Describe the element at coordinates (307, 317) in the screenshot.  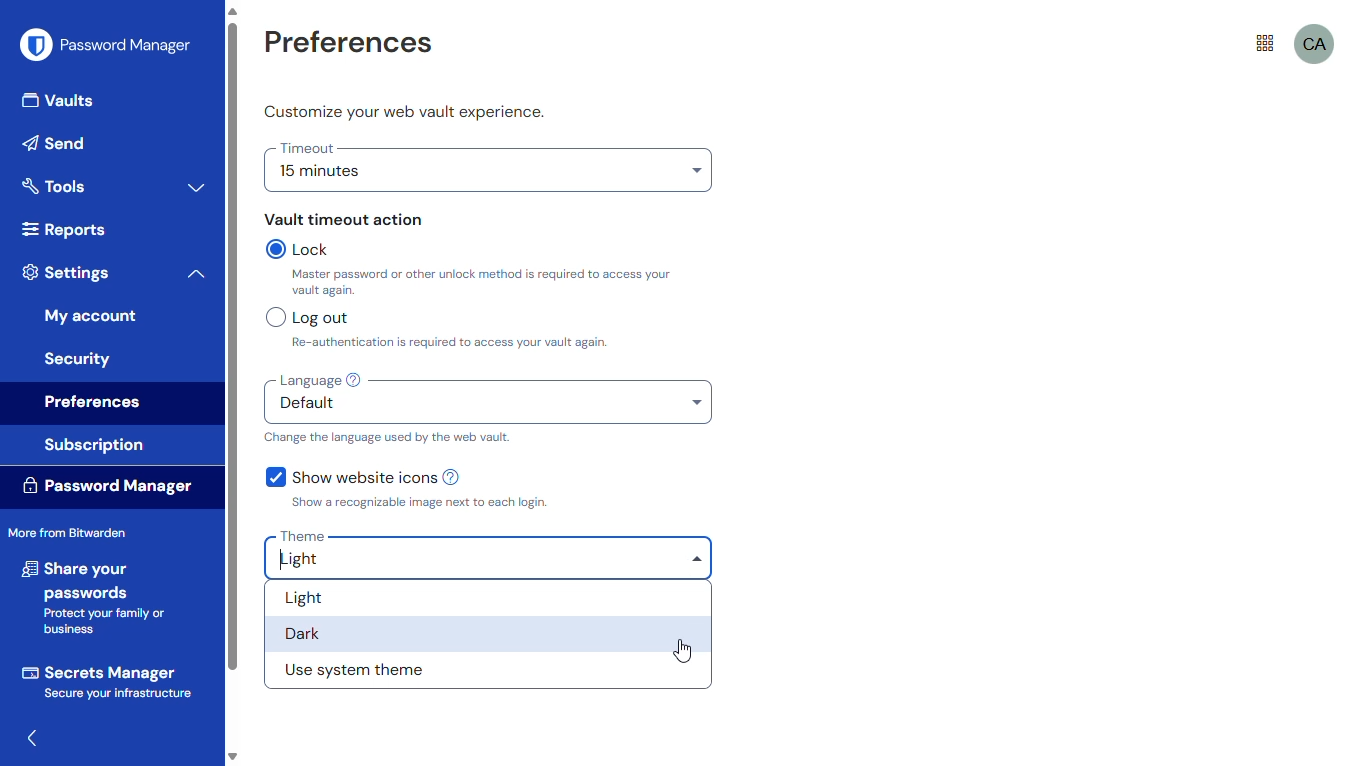
I see `log out` at that location.